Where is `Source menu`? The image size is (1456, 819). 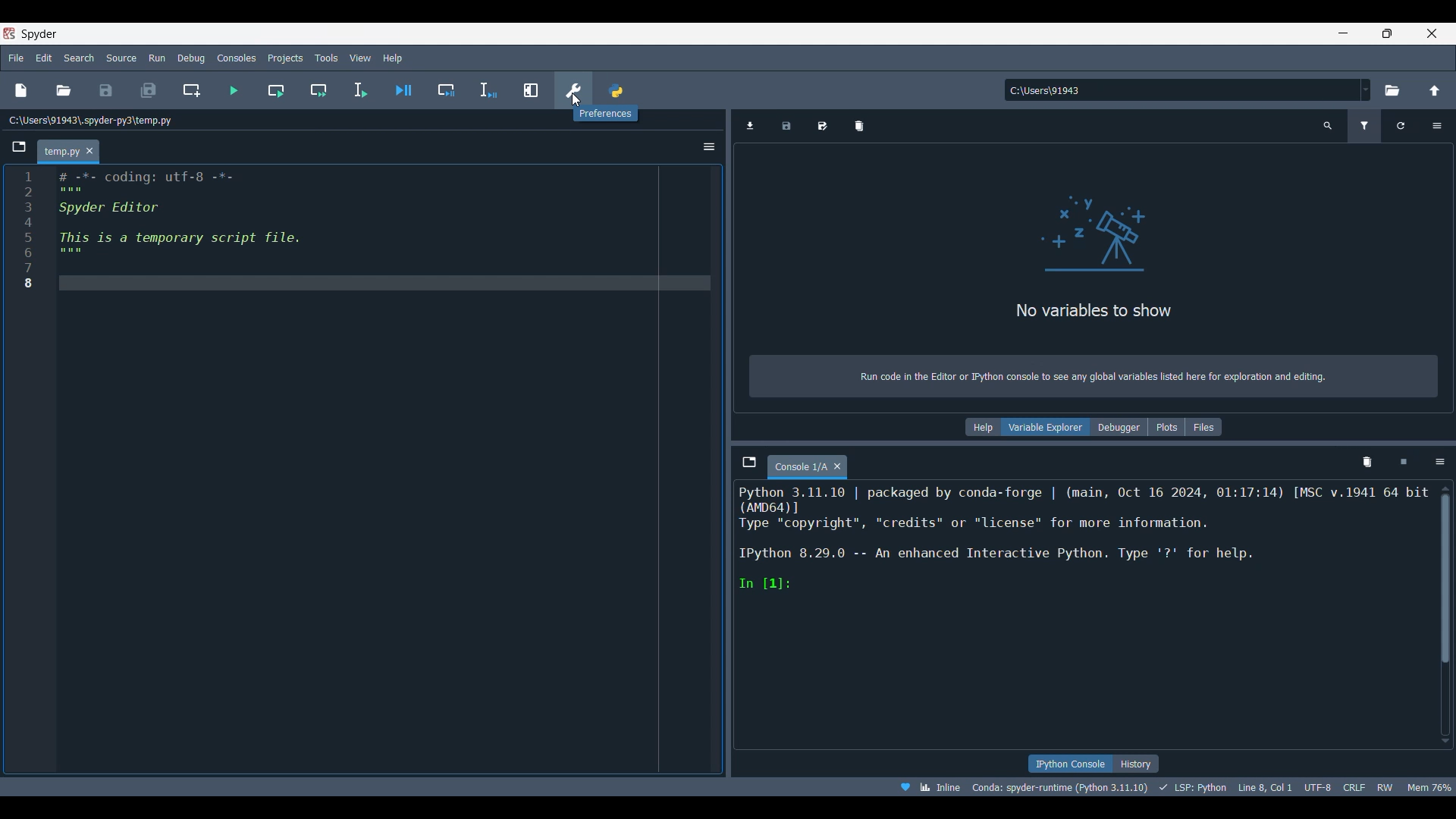
Source menu is located at coordinates (122, 58).